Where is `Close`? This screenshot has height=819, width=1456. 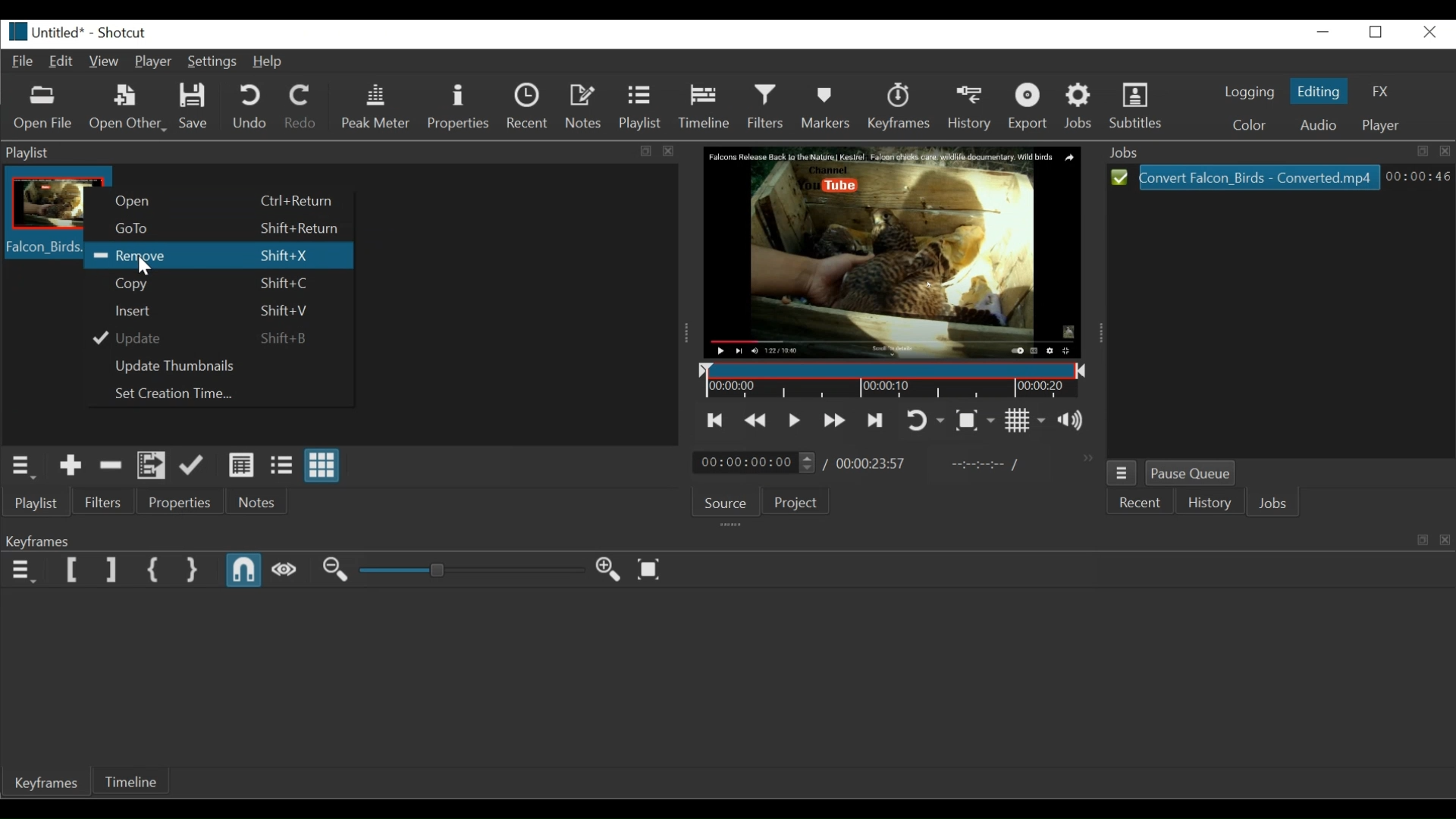
Close is located at coordinates (1426, 33).